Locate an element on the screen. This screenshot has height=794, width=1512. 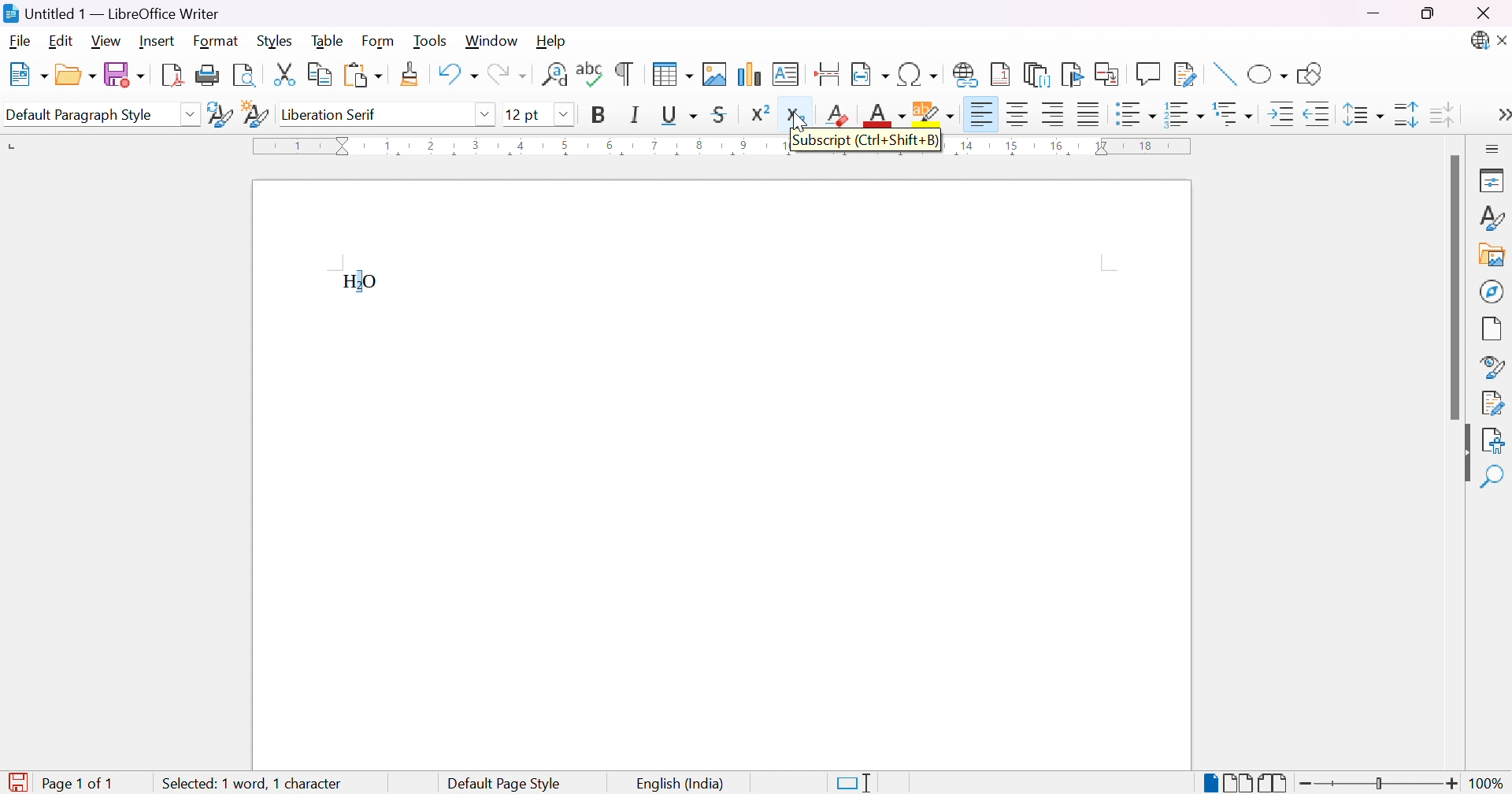
Properties is located at coordinates (1494, 180).